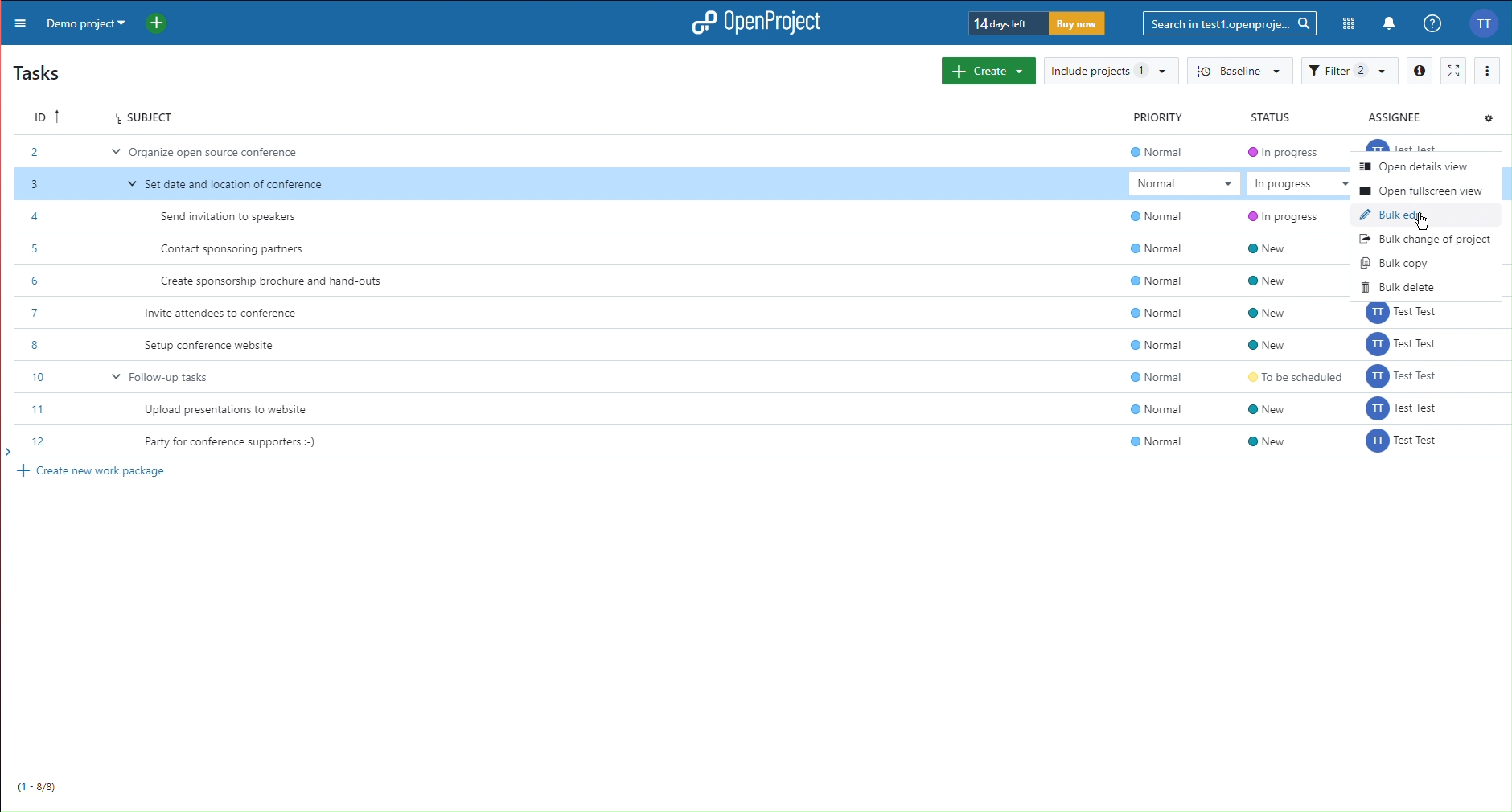 The image size is (1512, 812). Describe the element at coordinates (988, 71) in the screenshot. I see `Create` at that location.